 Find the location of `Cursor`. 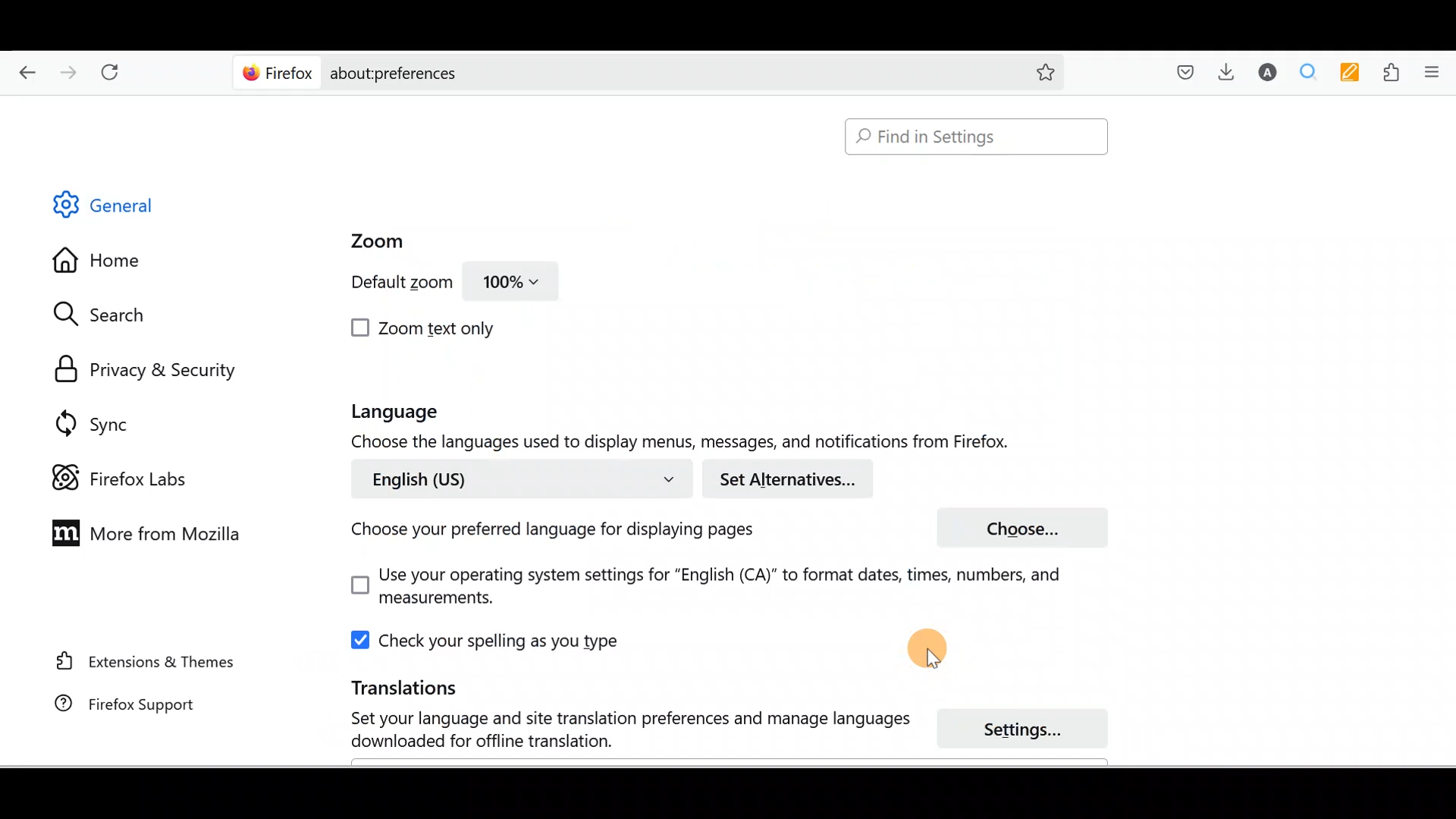

Cursor is located at coordinates (934, 646).